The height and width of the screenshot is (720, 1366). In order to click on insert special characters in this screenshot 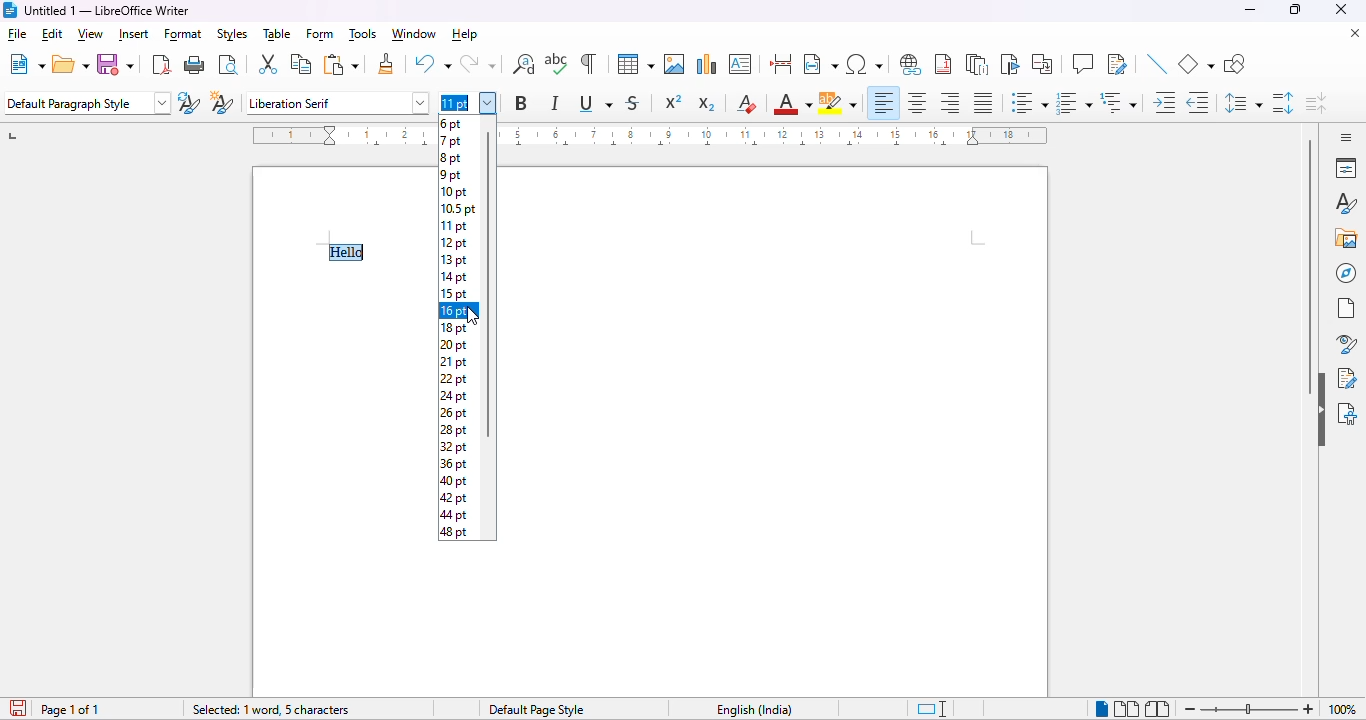, I will do `click(864, 64)`.